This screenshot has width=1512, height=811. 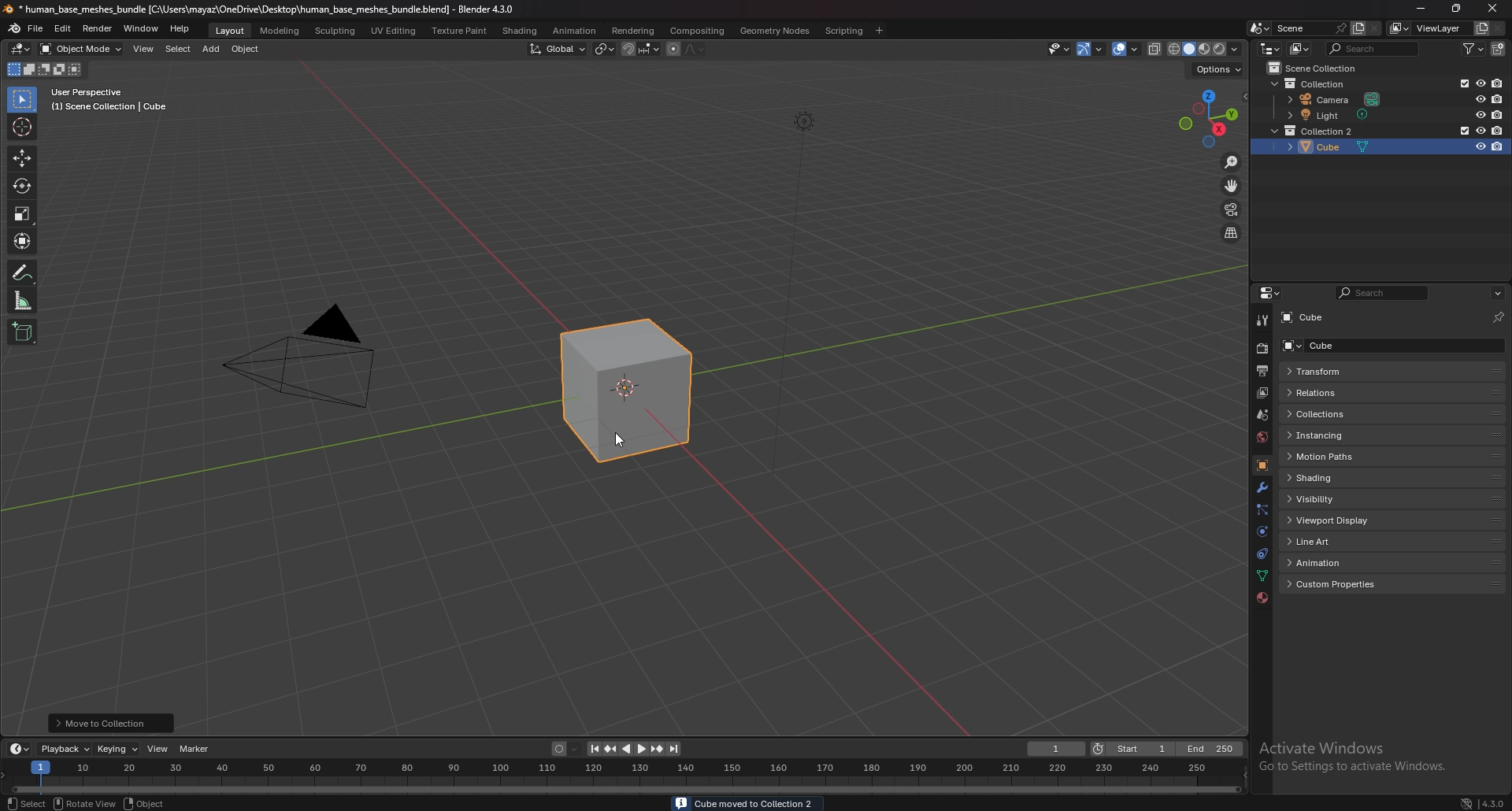 I want to click on disable in renders, so click(x=1499, y=114).